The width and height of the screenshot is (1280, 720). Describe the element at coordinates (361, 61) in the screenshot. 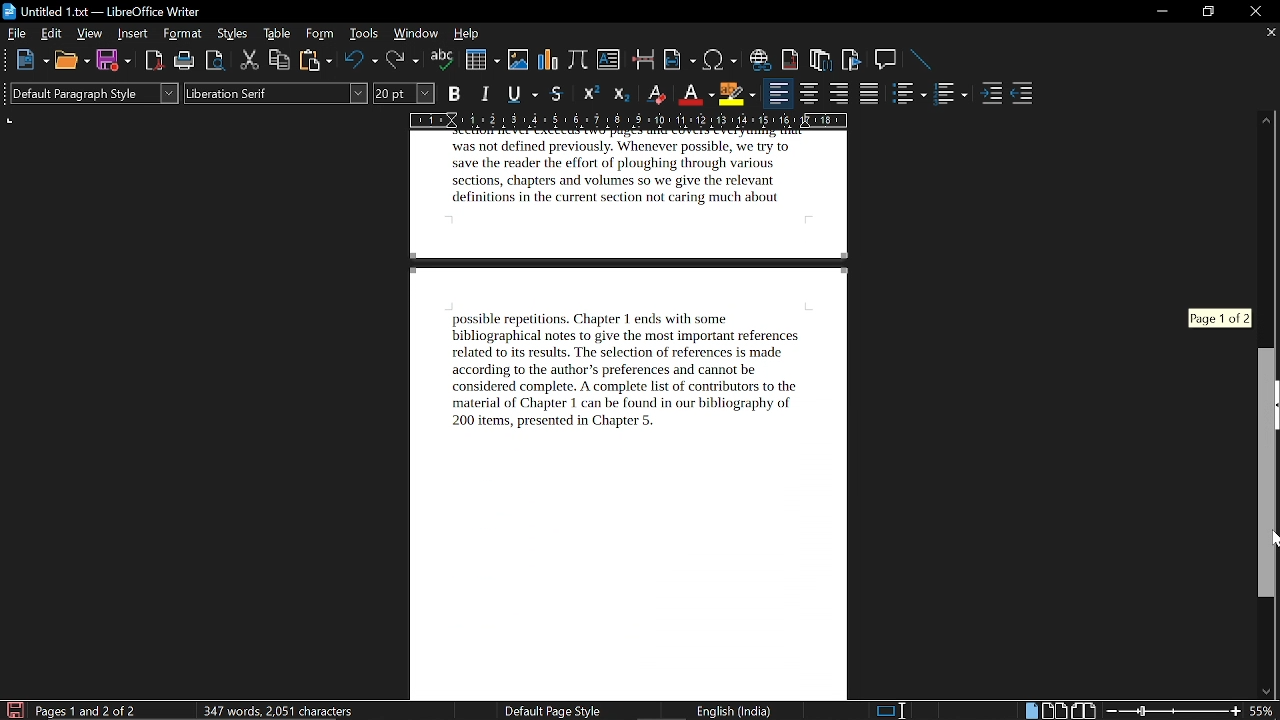

I see `undo` at that location.